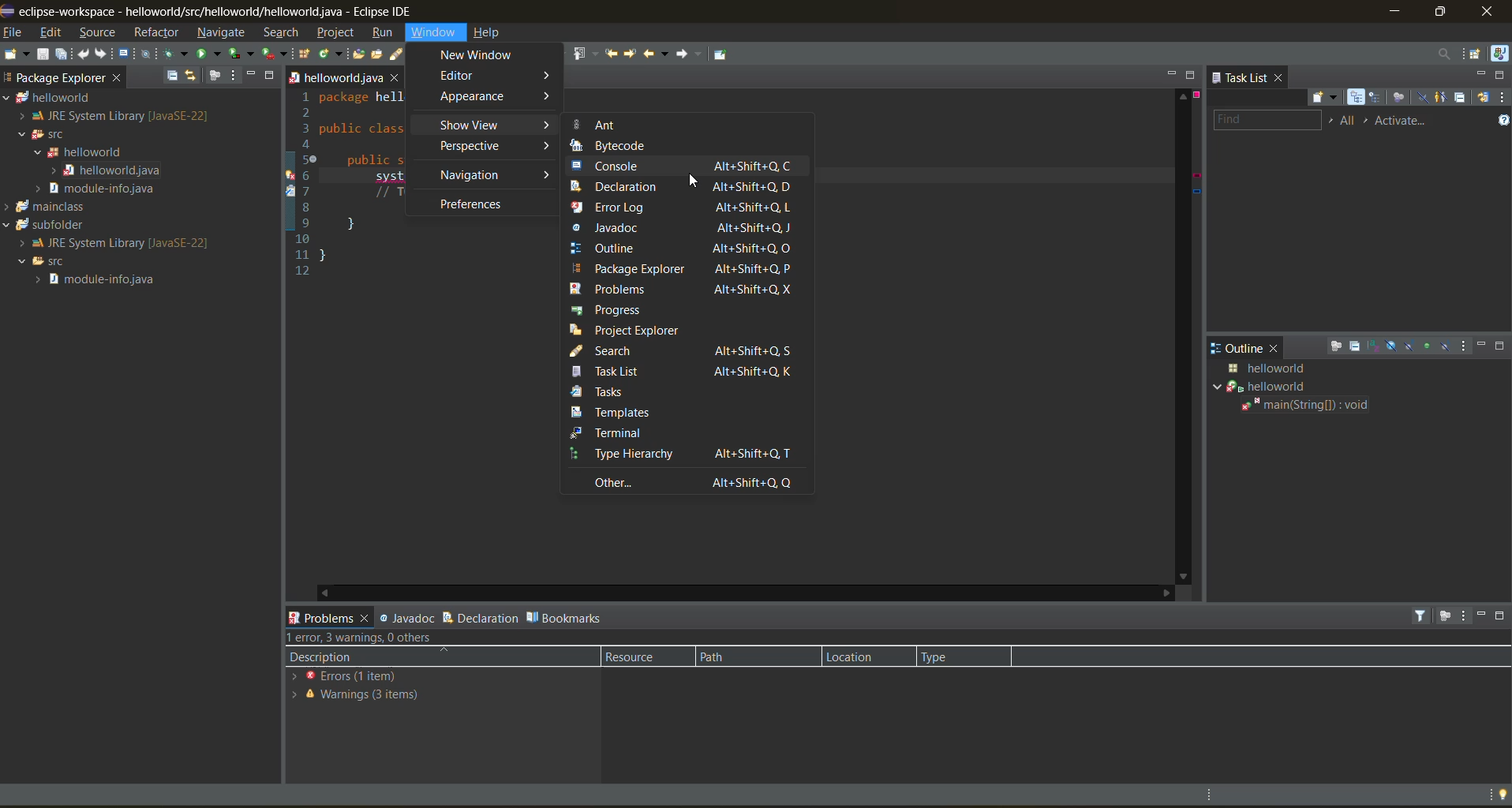  I want to click on cursor, so click(694, 182).